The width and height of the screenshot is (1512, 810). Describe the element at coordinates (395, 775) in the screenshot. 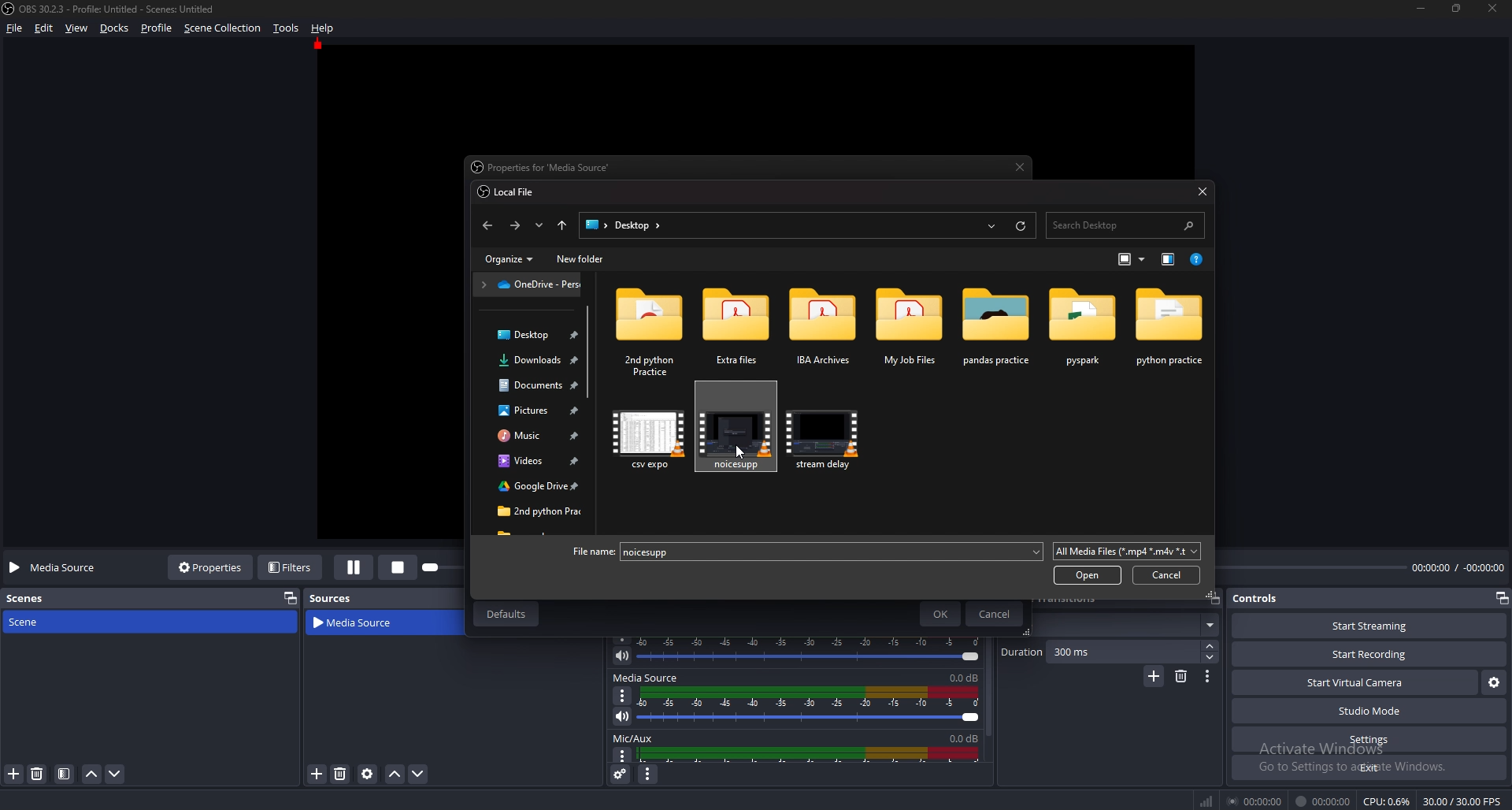

I see `Move sources up` at that location.